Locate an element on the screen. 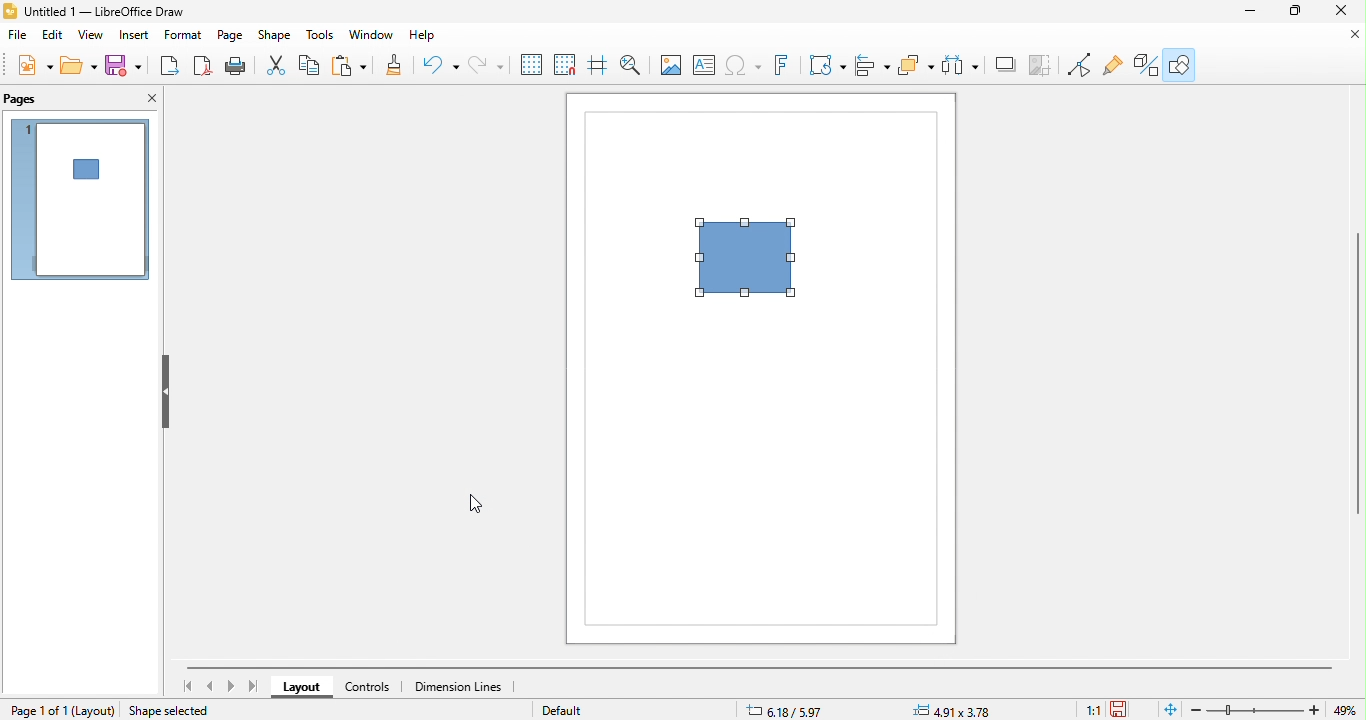 This screenshot has width=1366, height=720. maximize is located at coordinates (1297, 11).